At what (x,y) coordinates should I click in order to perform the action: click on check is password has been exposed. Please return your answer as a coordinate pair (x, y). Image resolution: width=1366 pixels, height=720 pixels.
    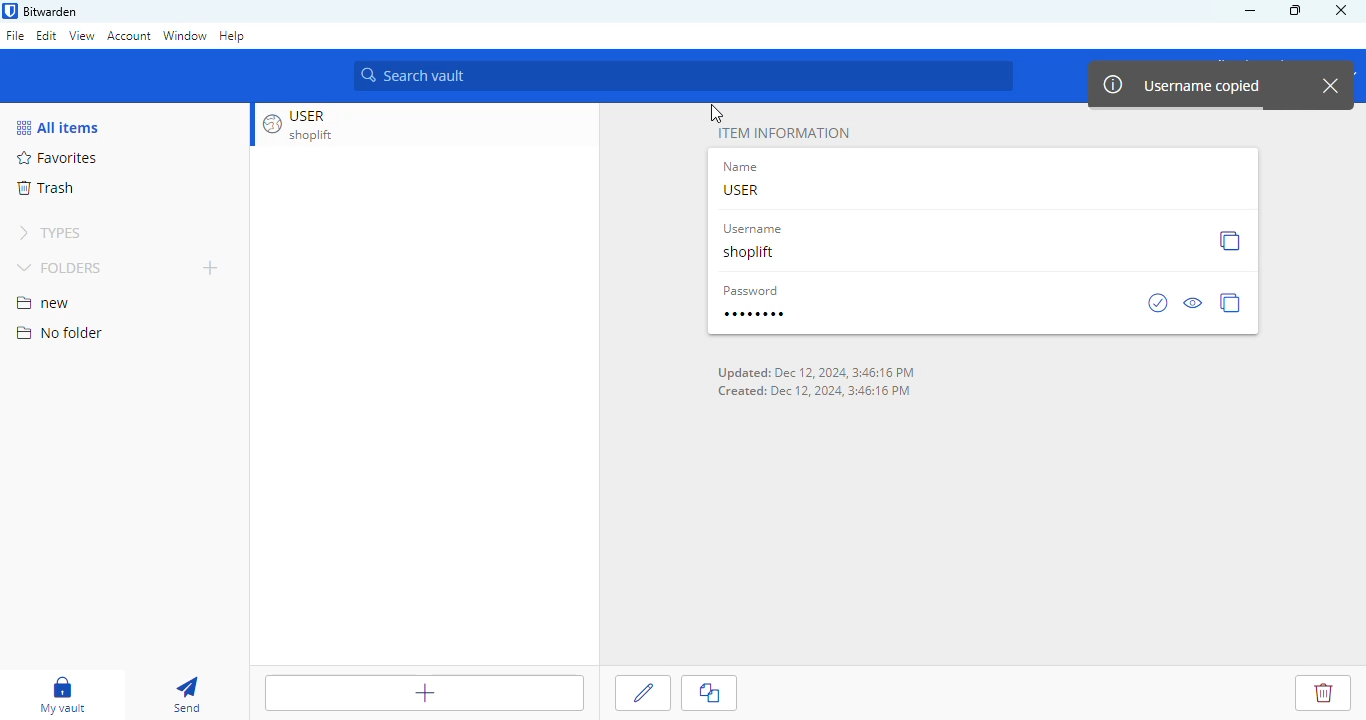
    Looking at the image, I should click on (1158, 303).